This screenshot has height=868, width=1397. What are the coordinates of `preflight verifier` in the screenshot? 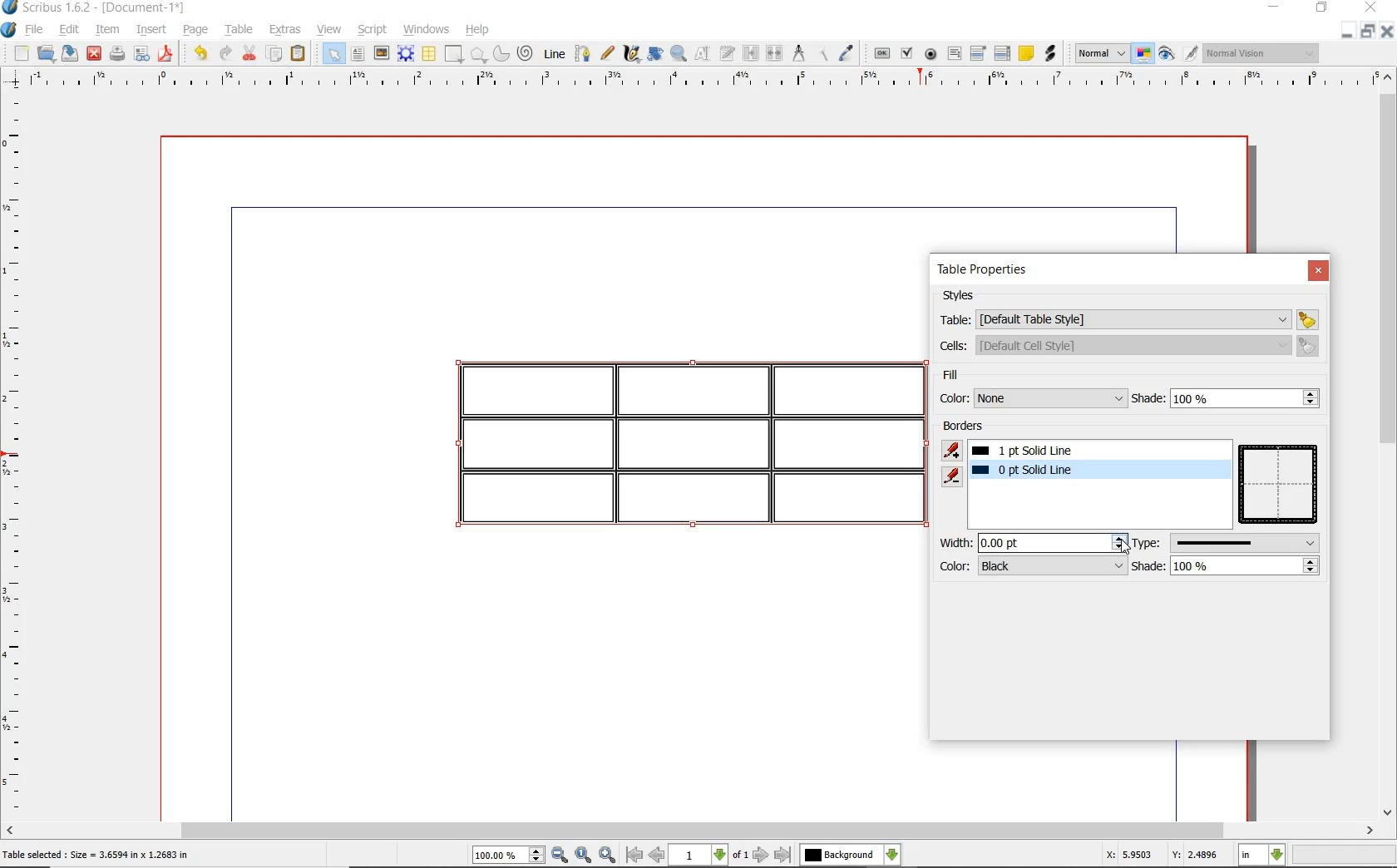 It's located at (140, 55).